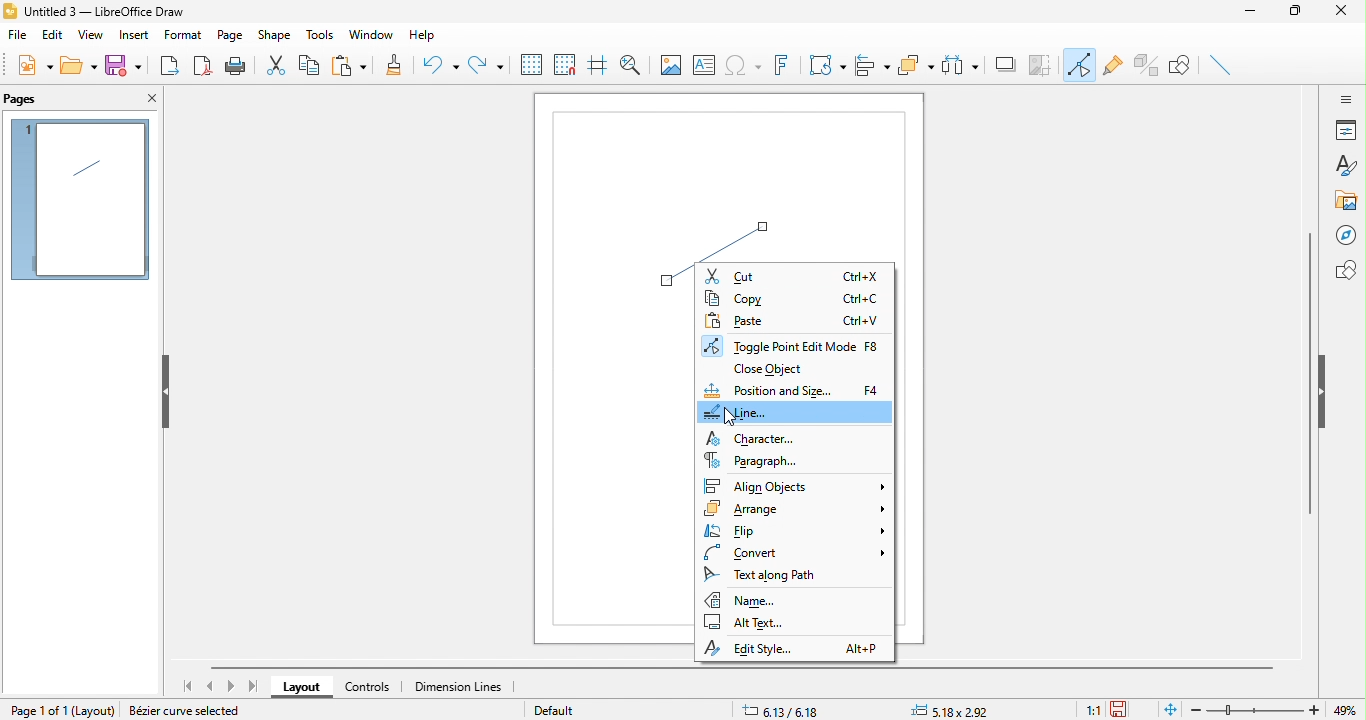 This screenshot has height=720, width=1366. Describe the element at coordinates (1187, 67) in the screenshot. I see `show the draw function` at that location.